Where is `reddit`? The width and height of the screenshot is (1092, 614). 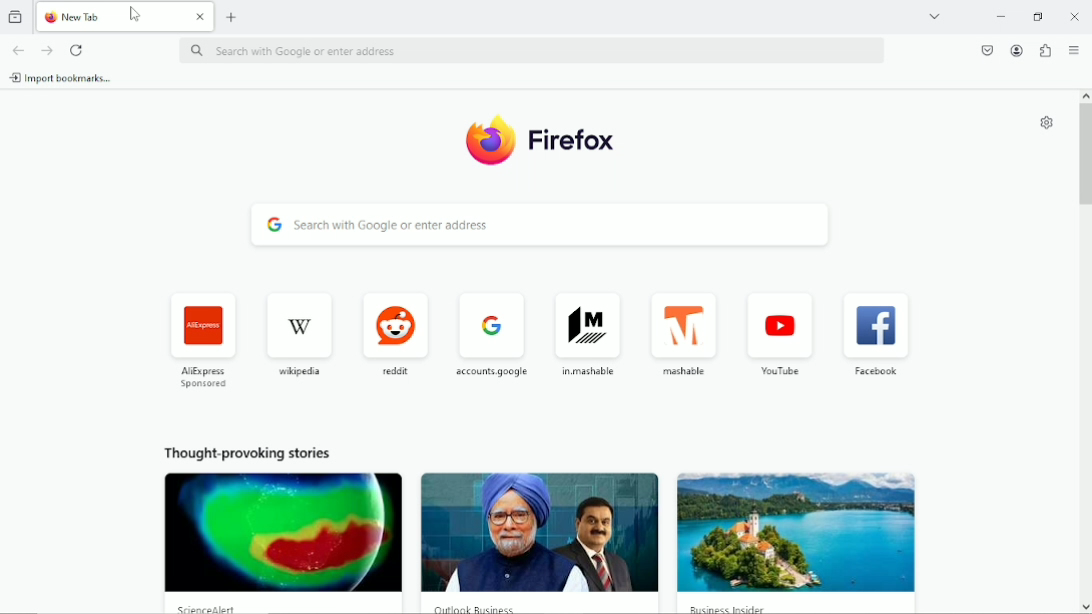 reddit is located at coordinates (395, 329).